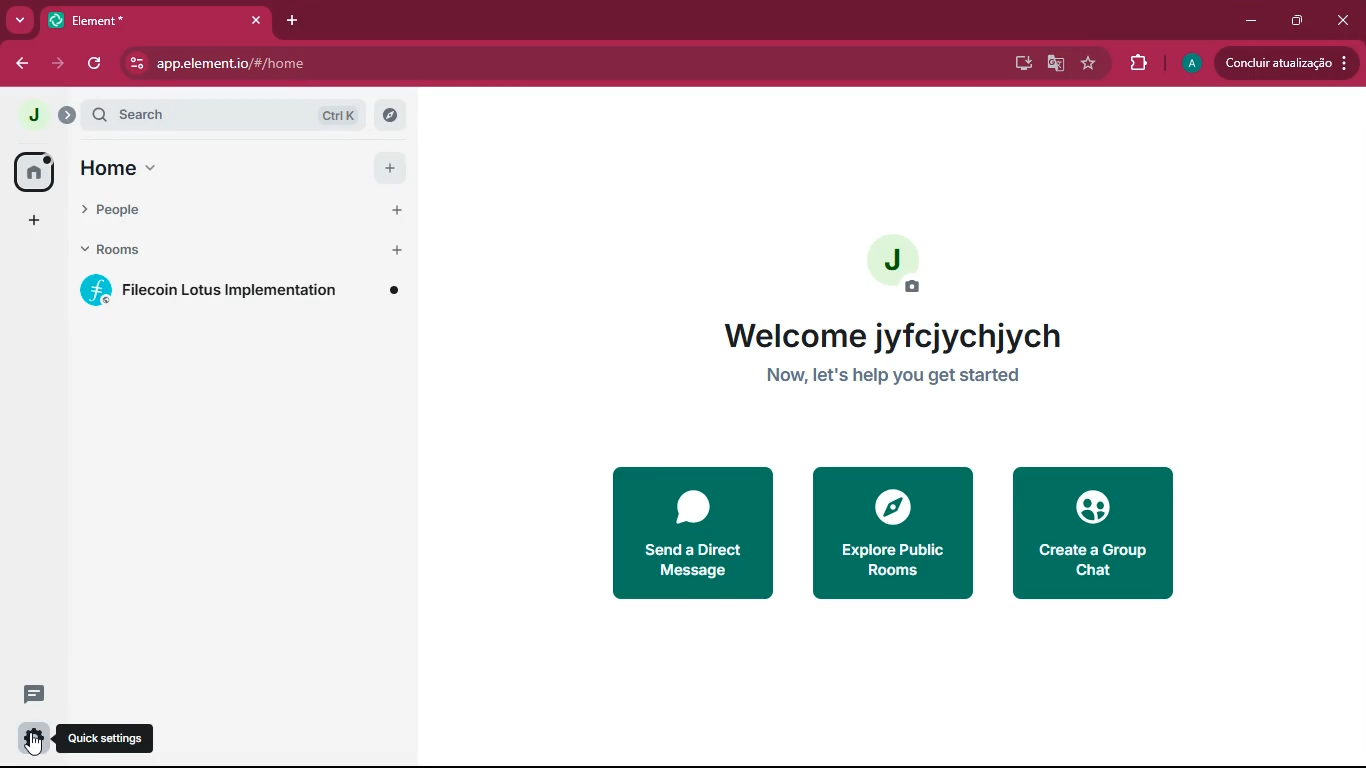 The height and width of the screenshot is (768, 1366). I want to click on desktop, so click(1020, 63).